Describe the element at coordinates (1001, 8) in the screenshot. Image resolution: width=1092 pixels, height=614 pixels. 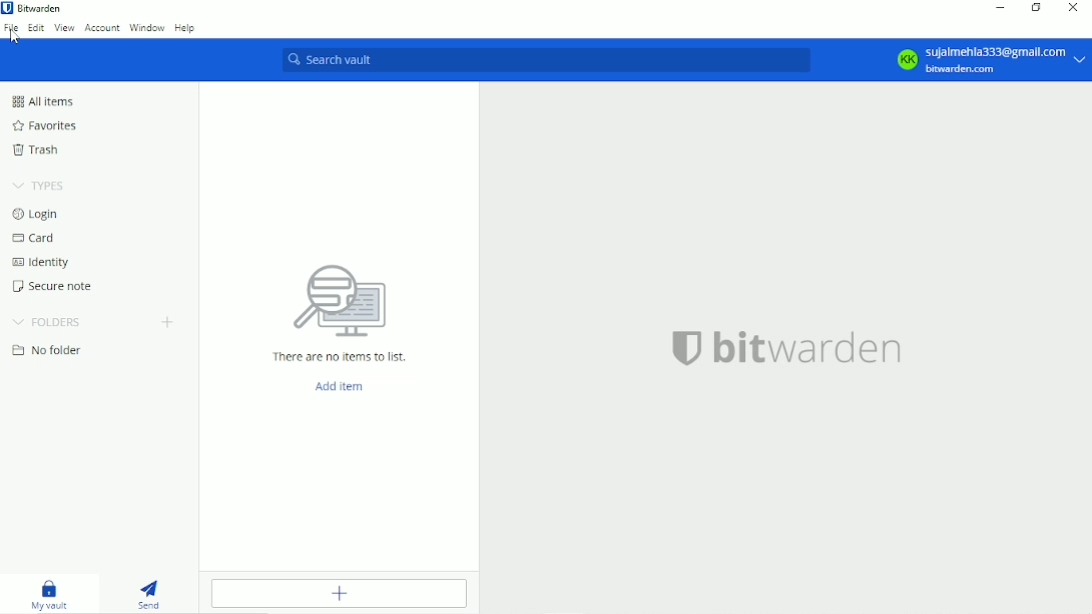
I see `Minimize` at that location.